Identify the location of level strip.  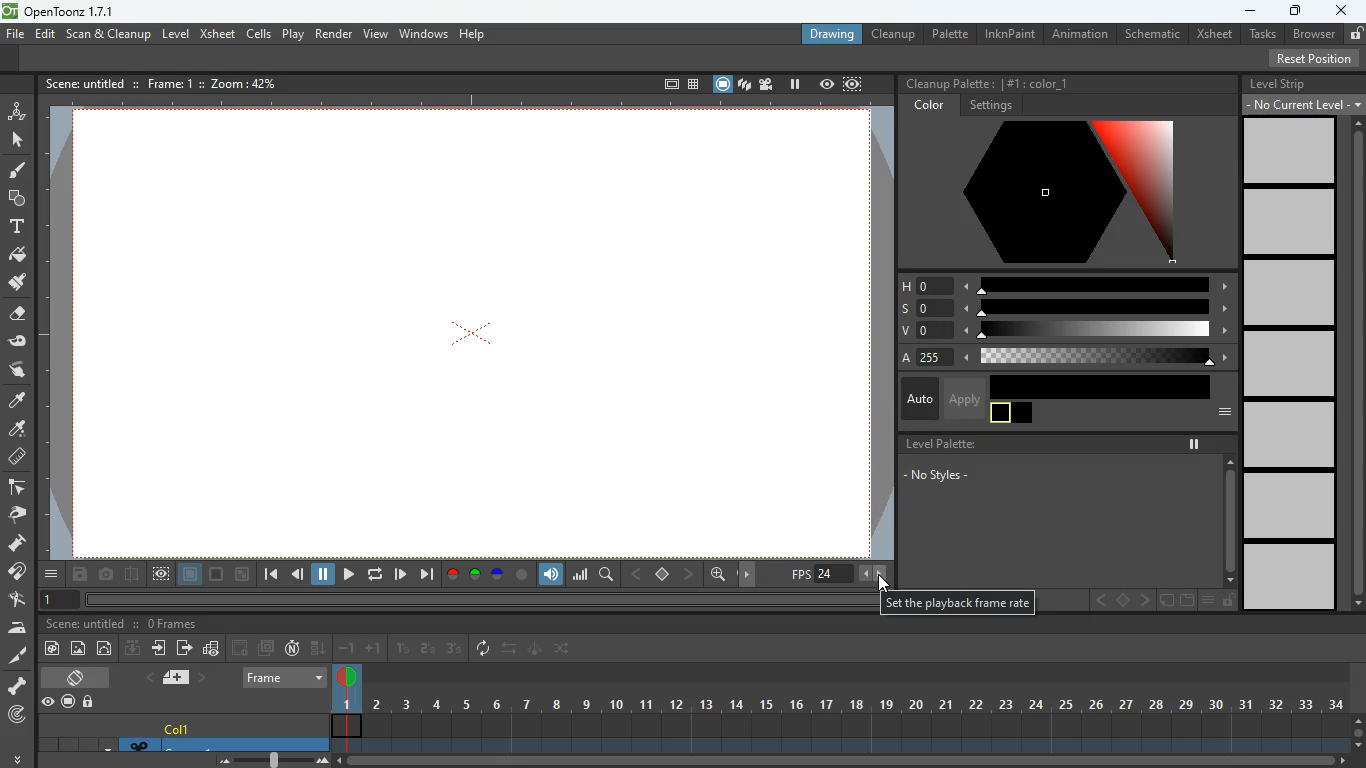
(1281, 83).